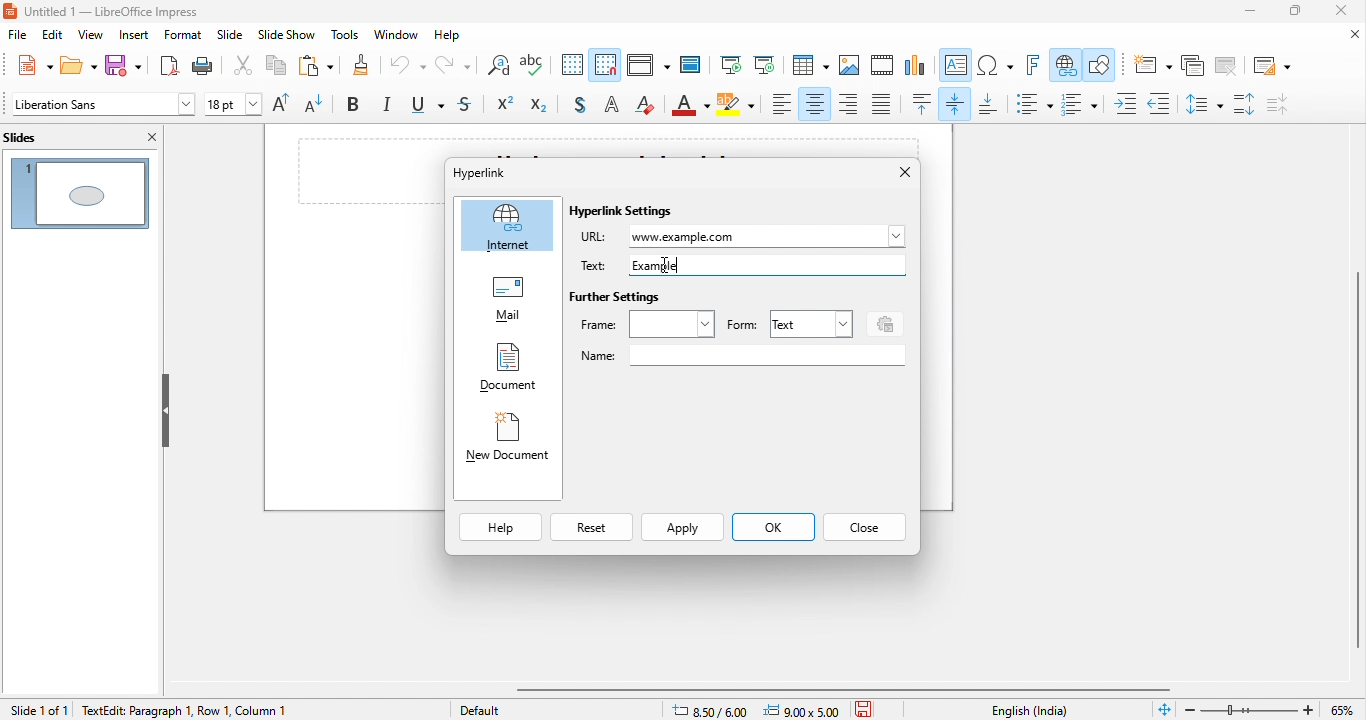  Describe the element at coordinates (957, 67) in the screenshot. I see `text box` at that location.